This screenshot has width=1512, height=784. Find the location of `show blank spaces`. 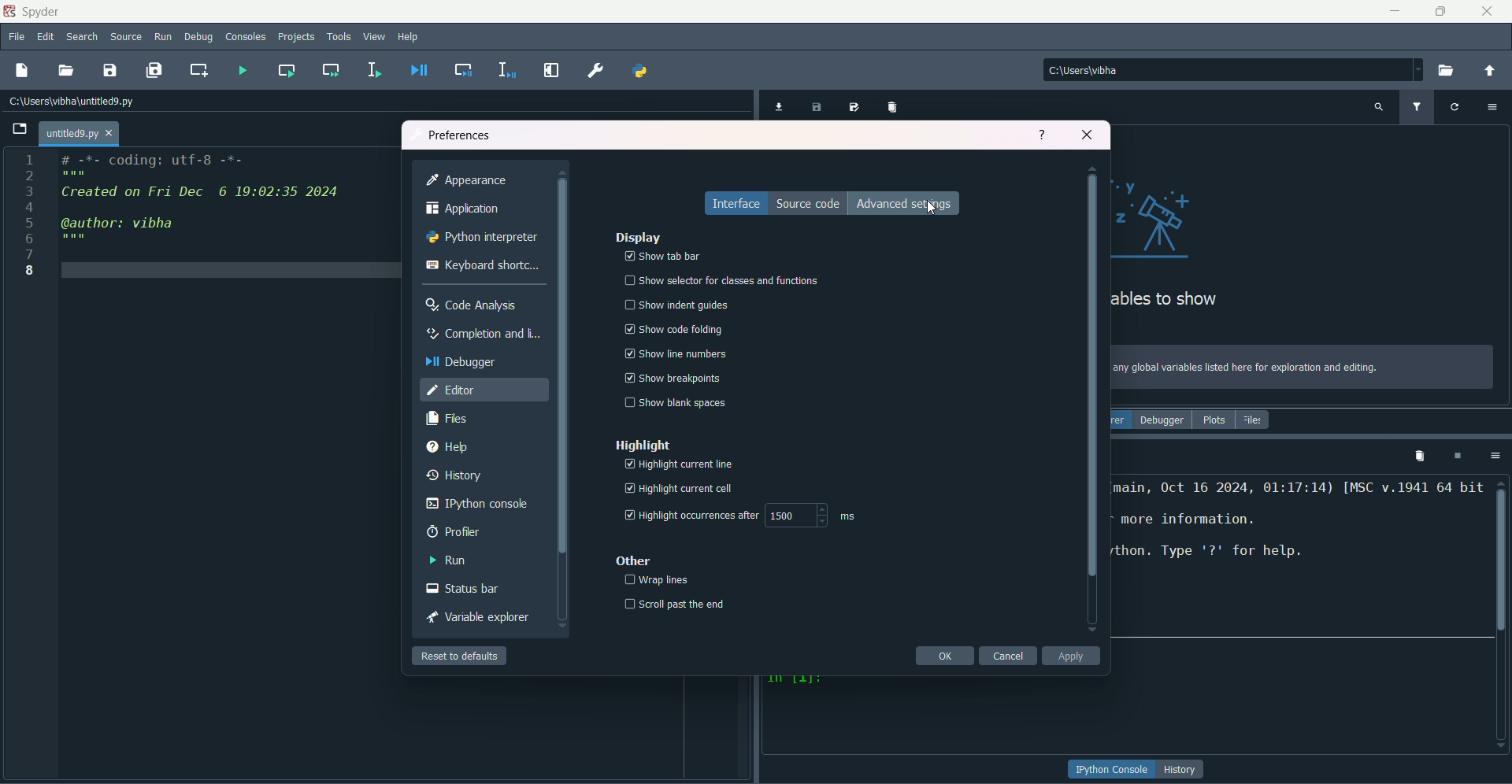

show blank spaces is located at coordinates (675, 403).